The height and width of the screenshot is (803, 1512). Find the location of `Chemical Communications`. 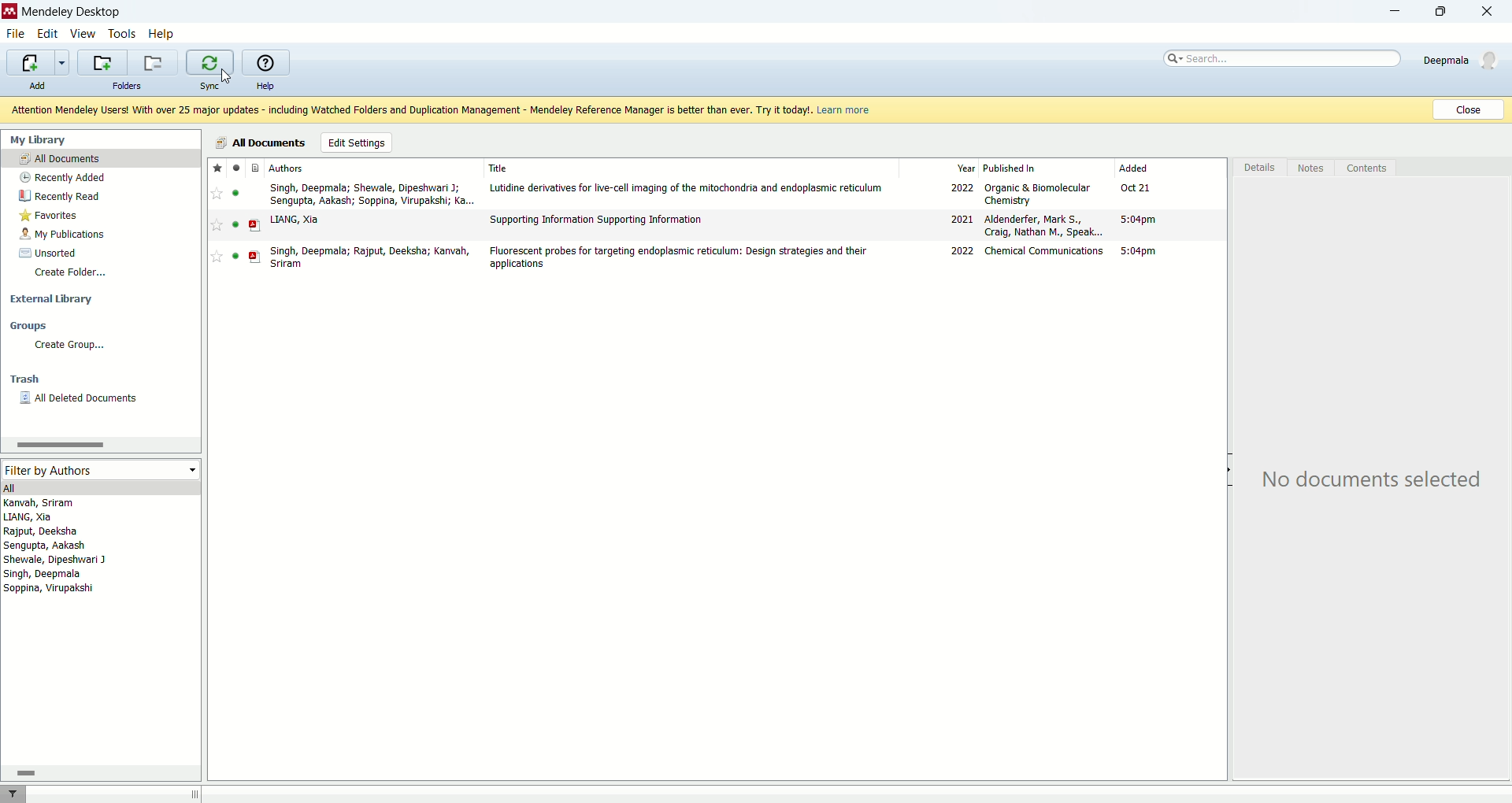

Chemical Communications is located at coordinates (1045, 251).